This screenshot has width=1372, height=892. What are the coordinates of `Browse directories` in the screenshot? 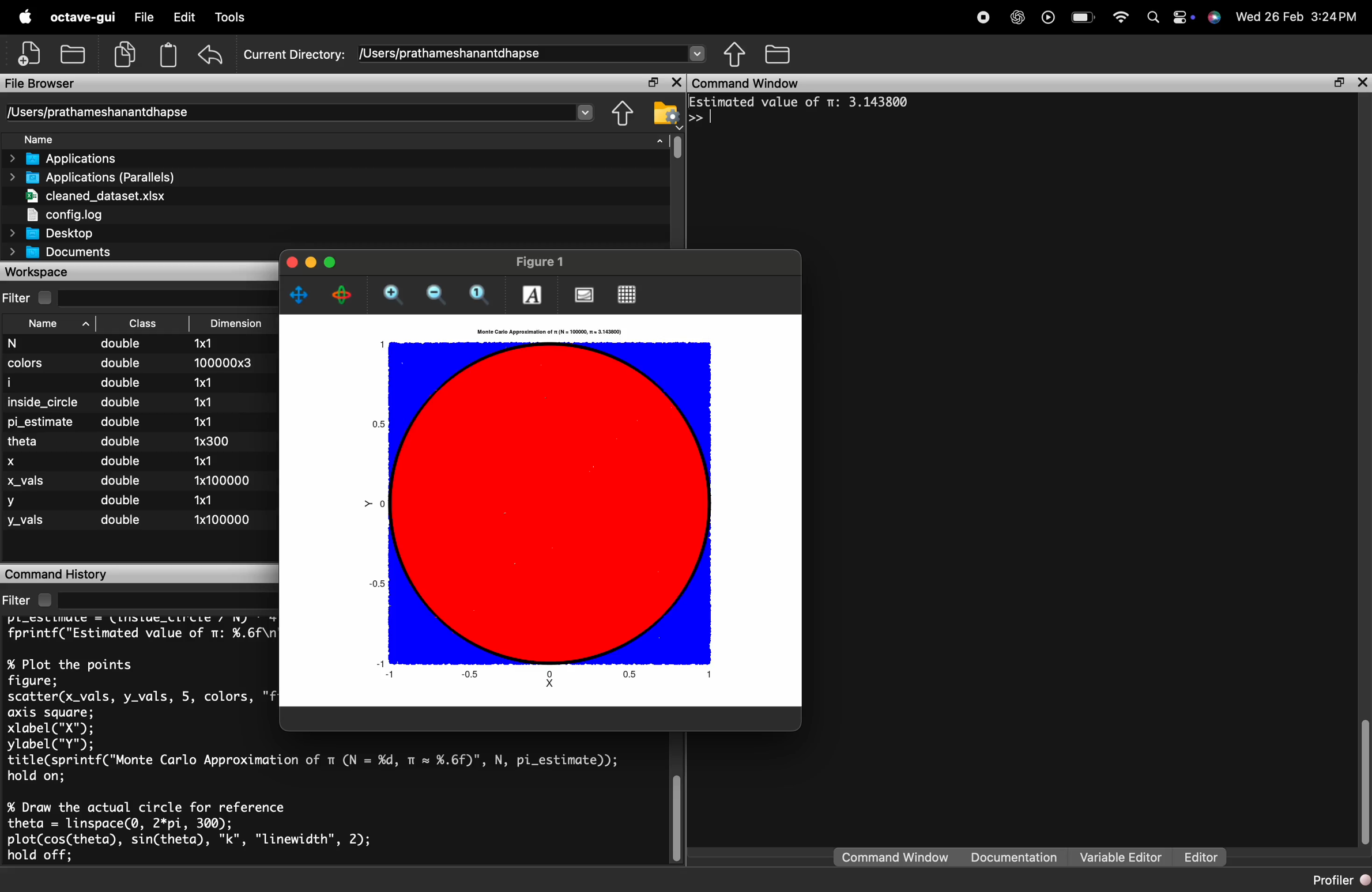 It's located at (778, 54).